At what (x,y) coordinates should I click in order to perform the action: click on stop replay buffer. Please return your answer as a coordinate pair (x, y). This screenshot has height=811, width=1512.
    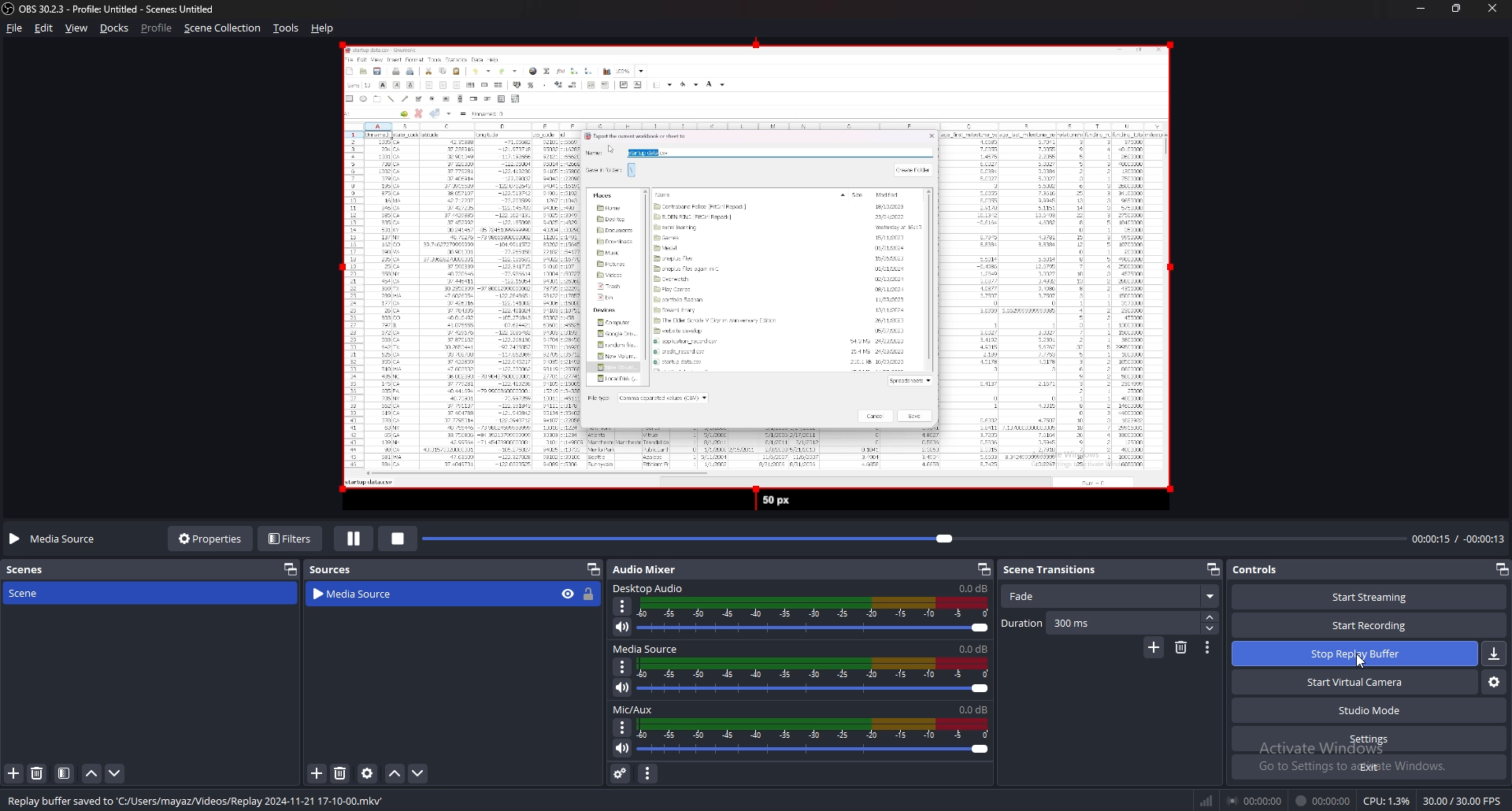
    Looking at the image, I should click on (1355, 652).